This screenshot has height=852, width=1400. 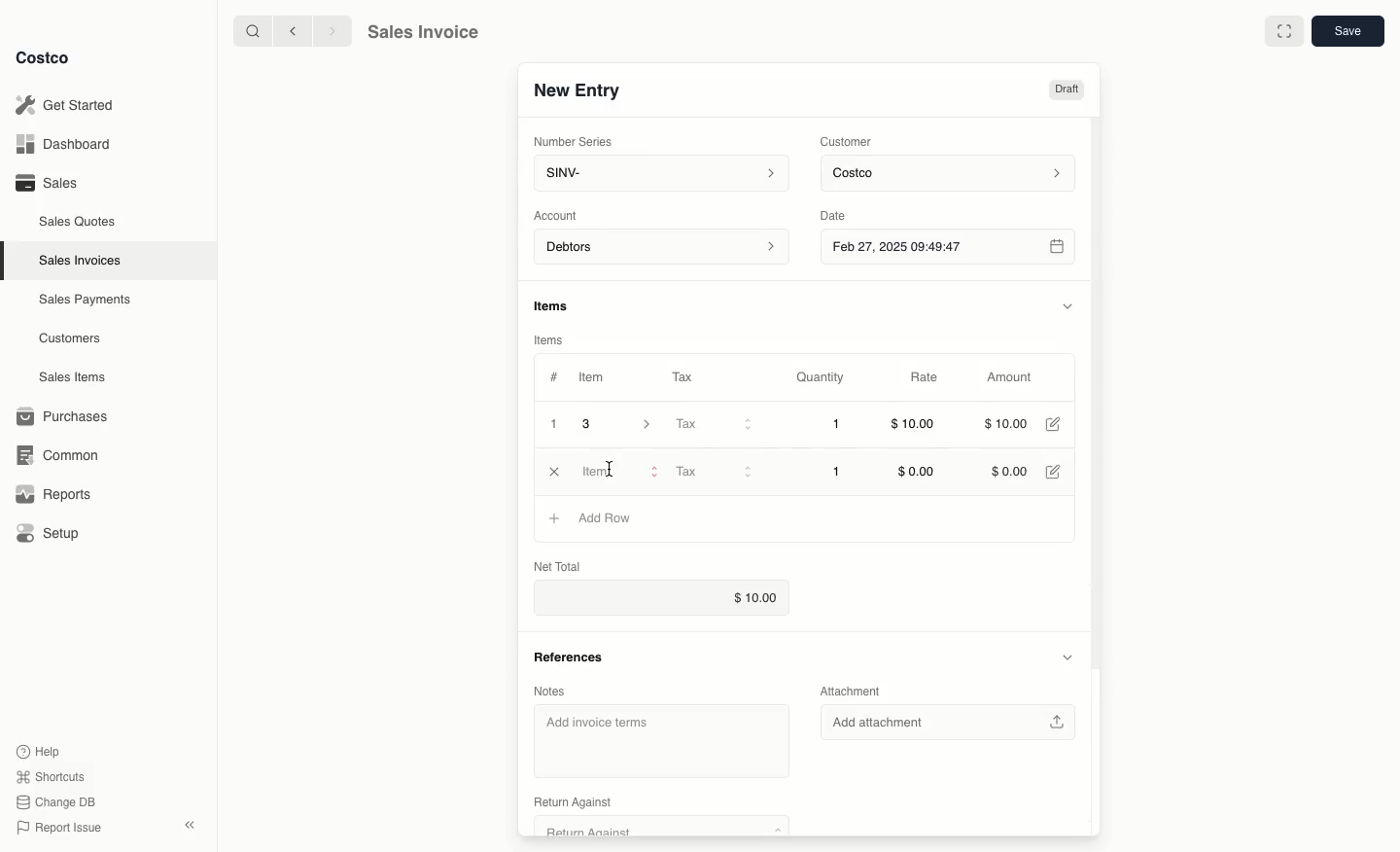 I want to click on 1, so click(x=554, y=424).